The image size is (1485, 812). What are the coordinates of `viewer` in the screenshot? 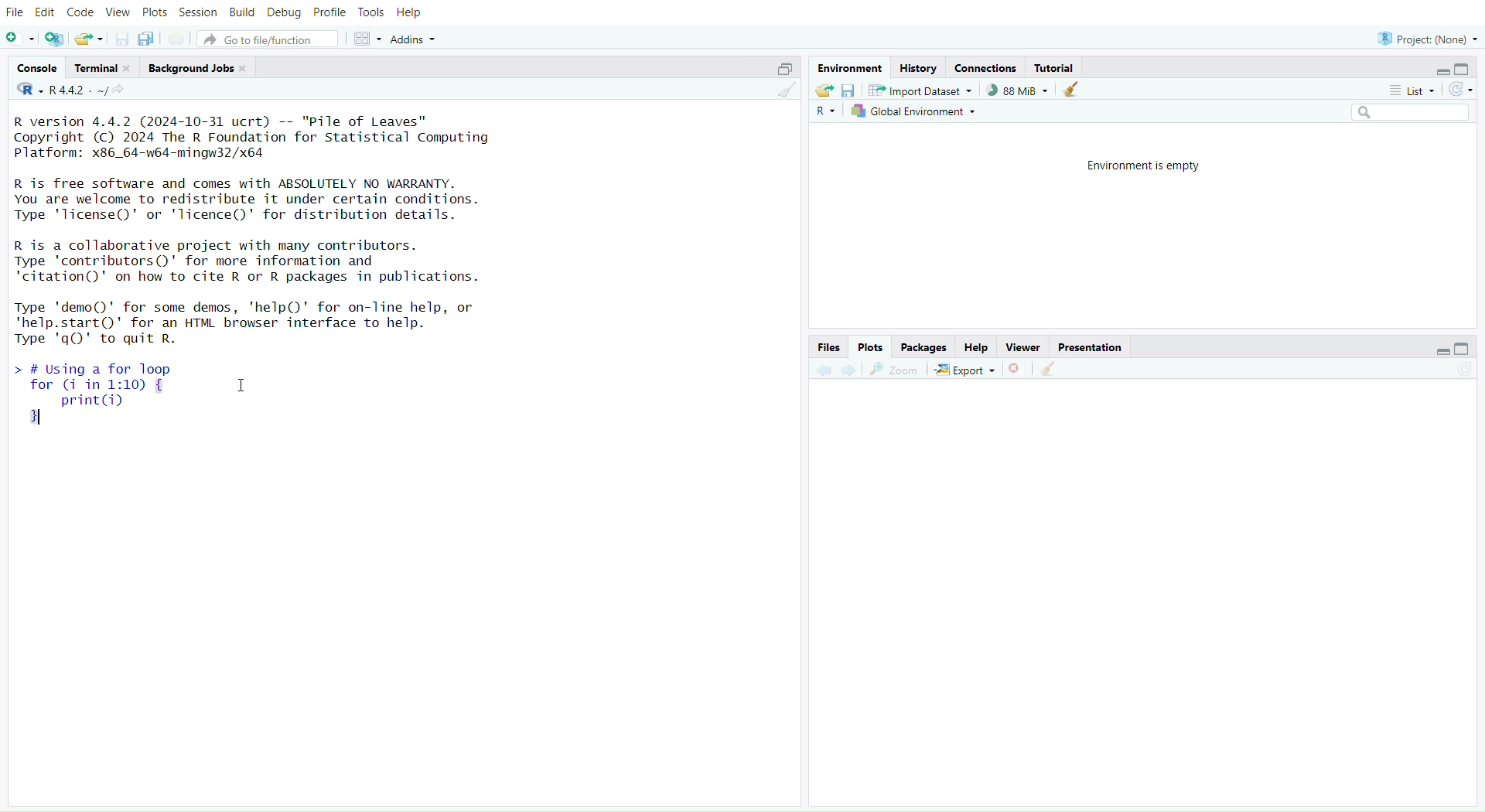 It's located at (1025, 347).